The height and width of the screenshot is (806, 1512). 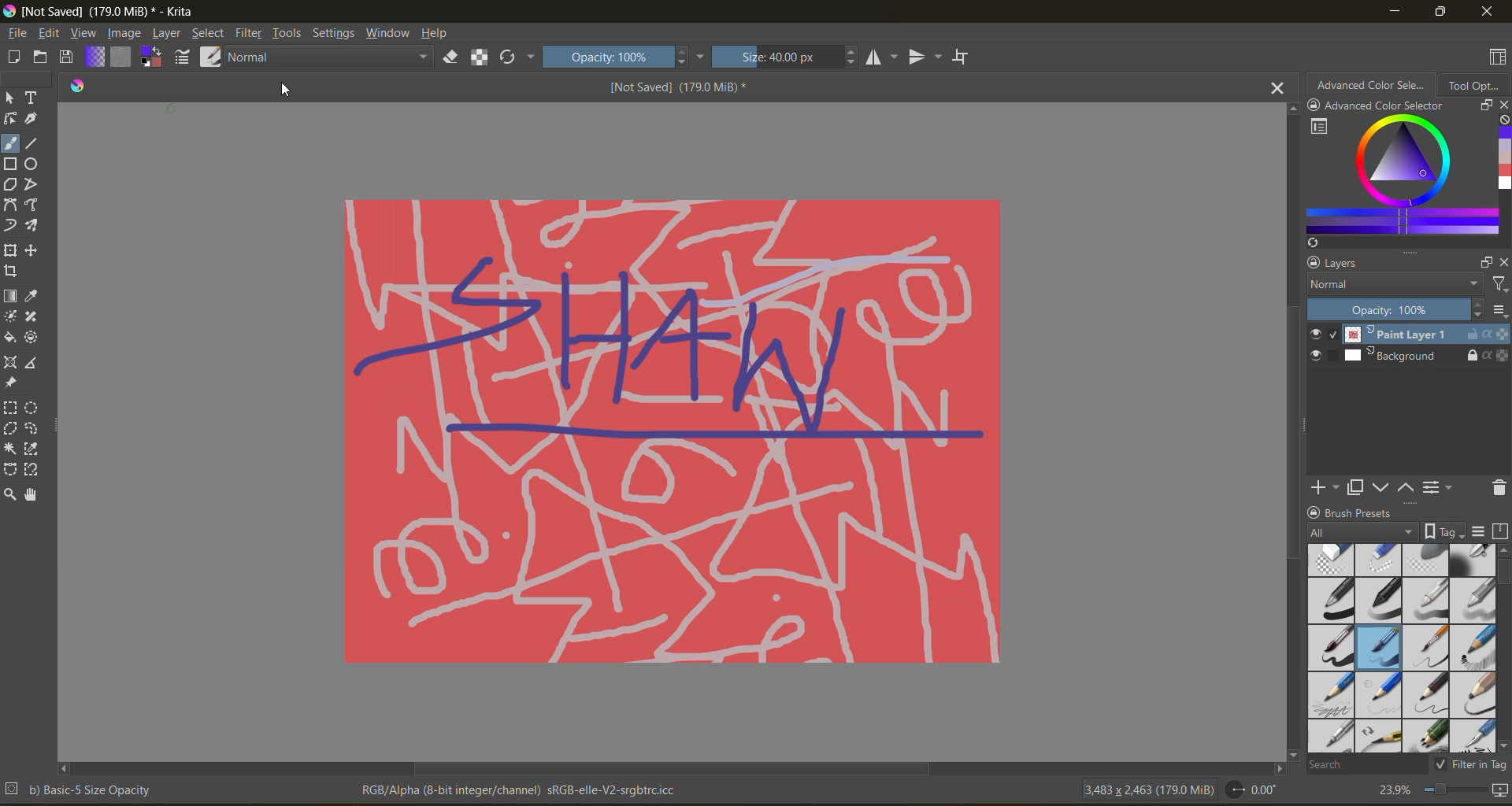 I want to click on brush presets, so click(x=1365, y=512).